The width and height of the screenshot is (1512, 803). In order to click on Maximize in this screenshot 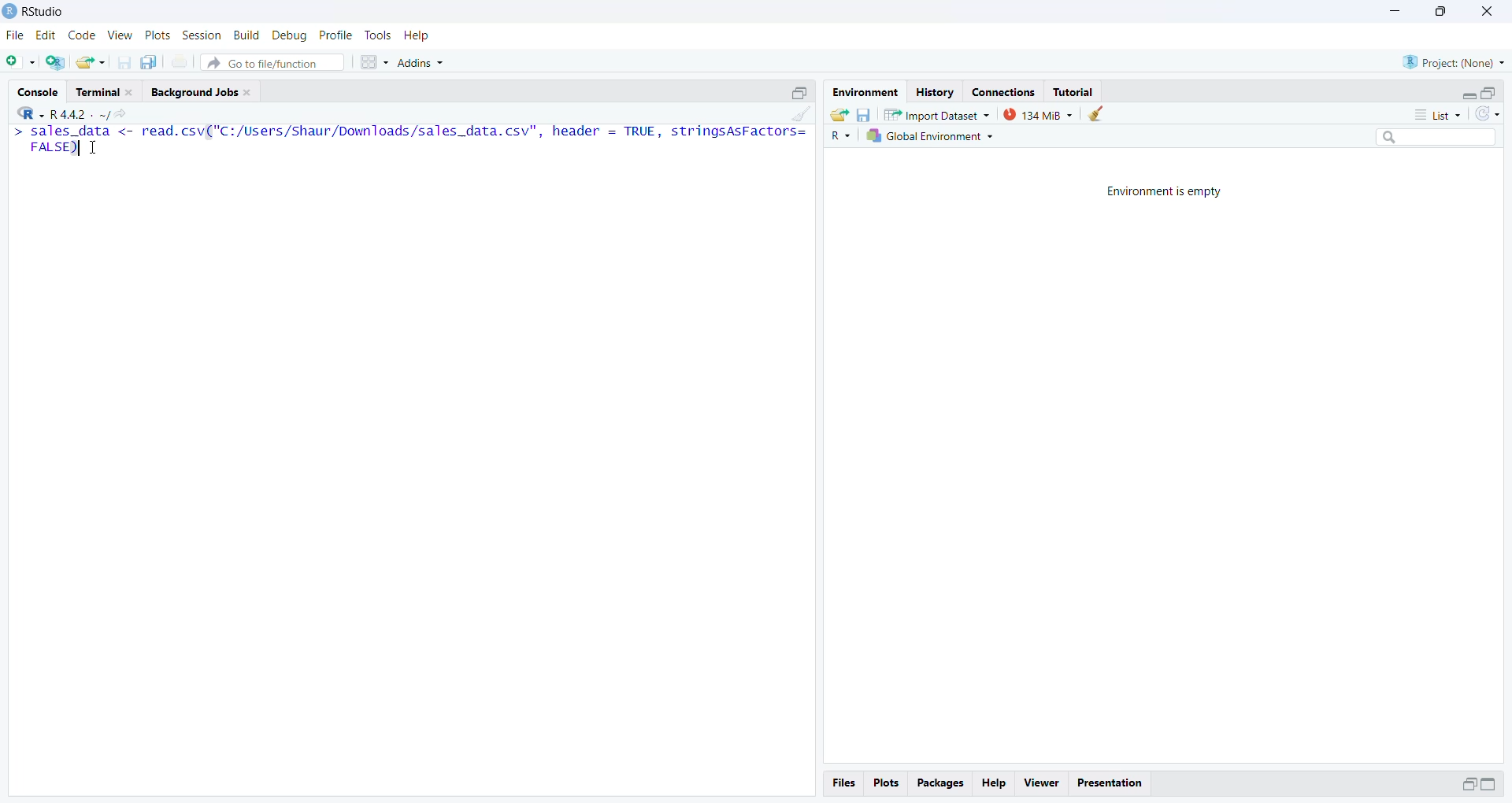, I will do `click(1489, 94)`.